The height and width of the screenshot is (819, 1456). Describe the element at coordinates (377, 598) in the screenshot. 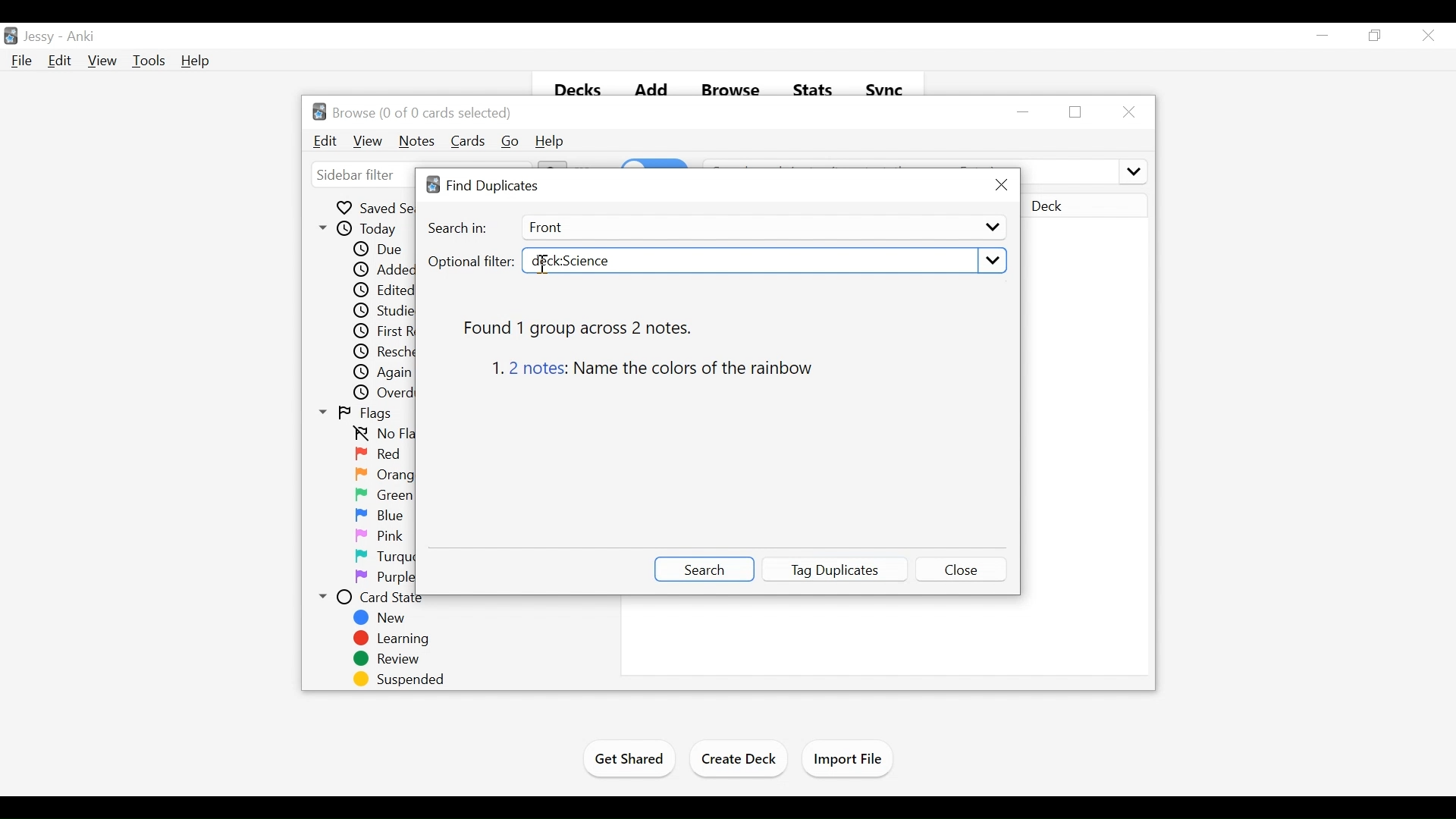

I see `Card State` at that location.